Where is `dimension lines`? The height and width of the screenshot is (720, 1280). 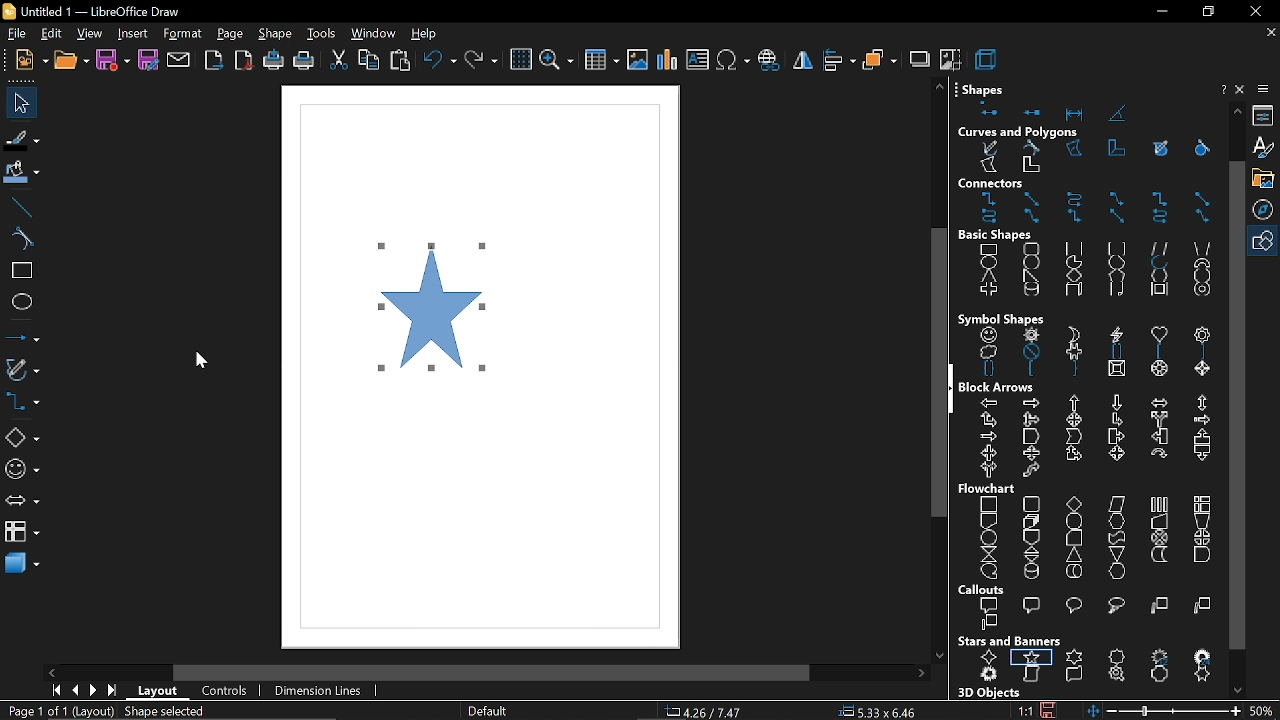 dimension lines is located at coordinates (315, 691).